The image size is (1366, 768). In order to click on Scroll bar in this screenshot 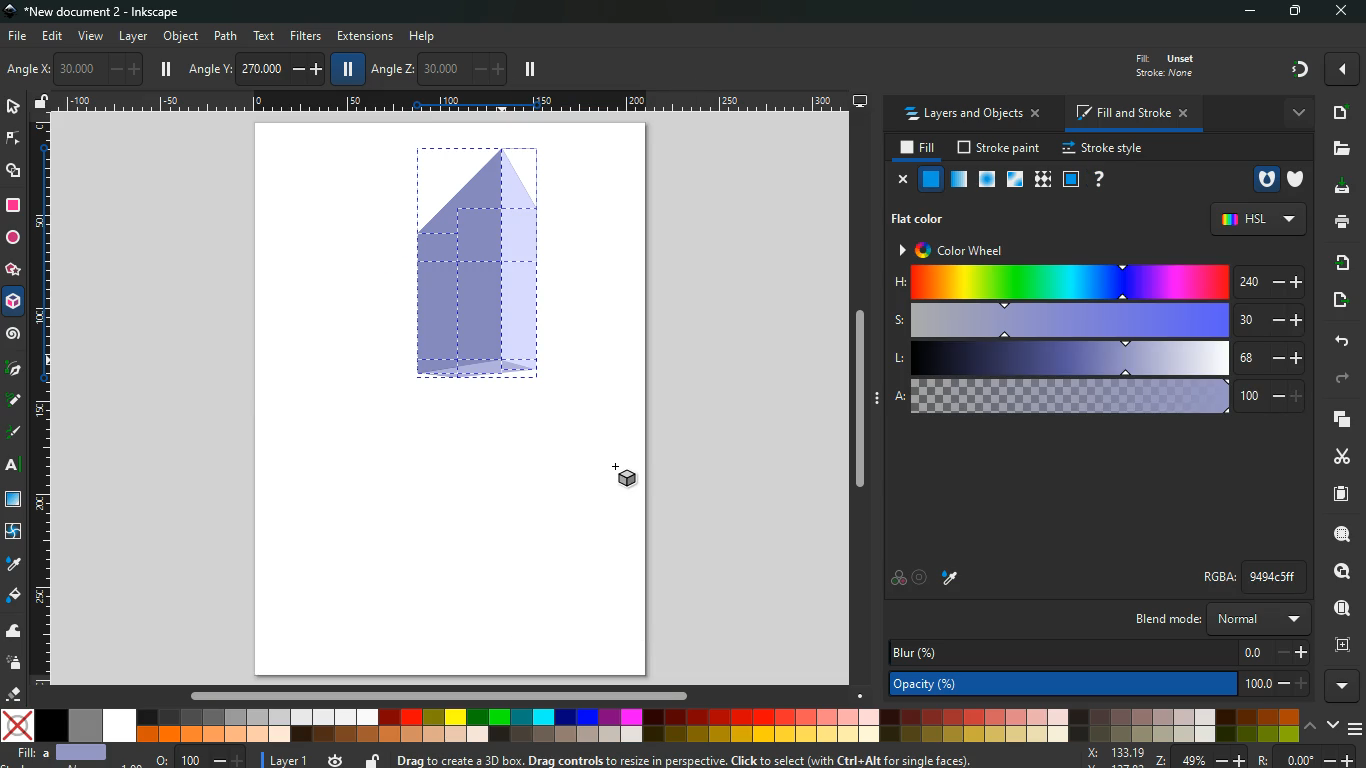, I will do `click(866, 401)`.